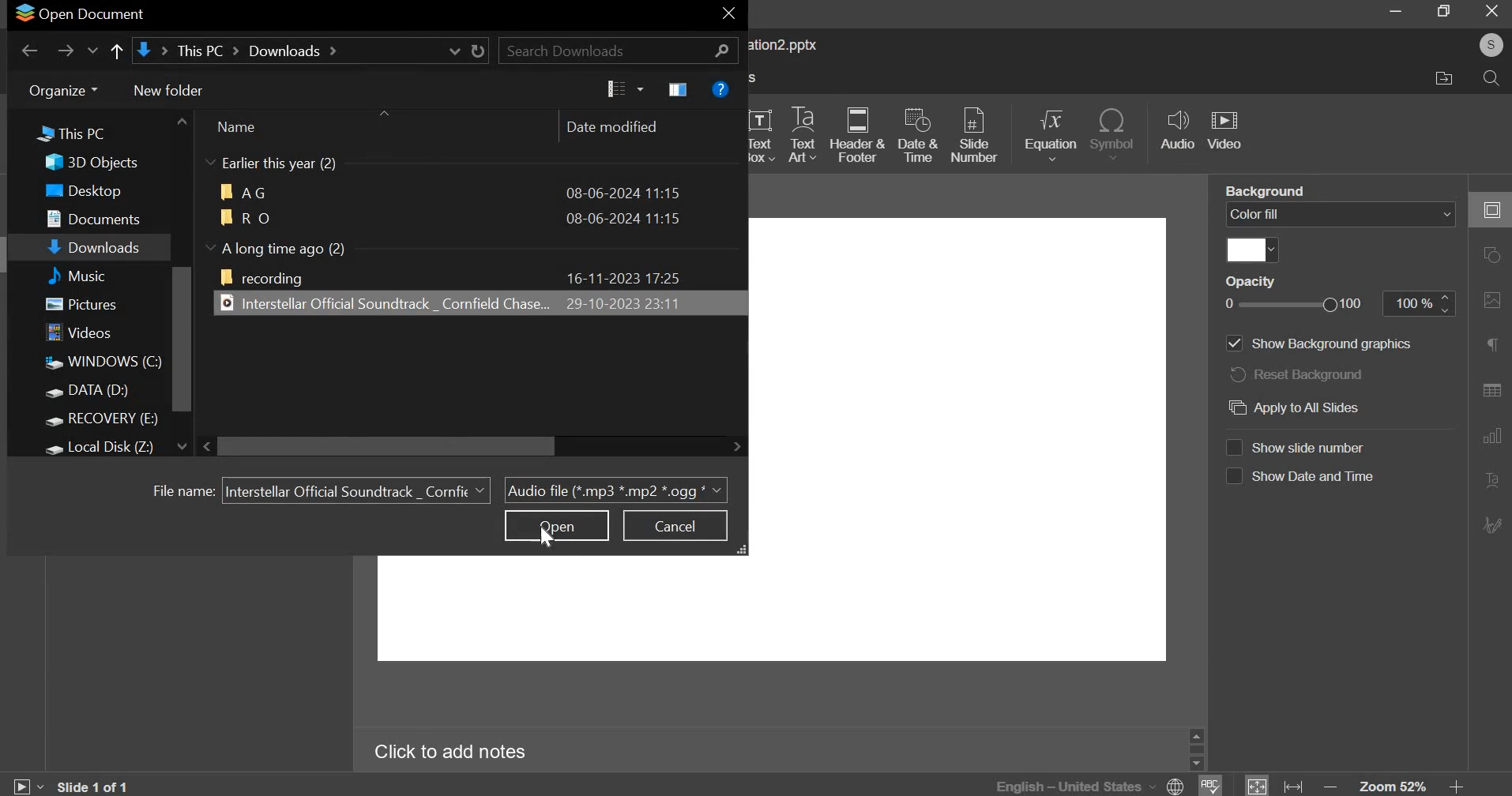  What do you see at coordinates (1491, 389) in the screenshot?
I see `table settings` at bounding box center [1491, 389].